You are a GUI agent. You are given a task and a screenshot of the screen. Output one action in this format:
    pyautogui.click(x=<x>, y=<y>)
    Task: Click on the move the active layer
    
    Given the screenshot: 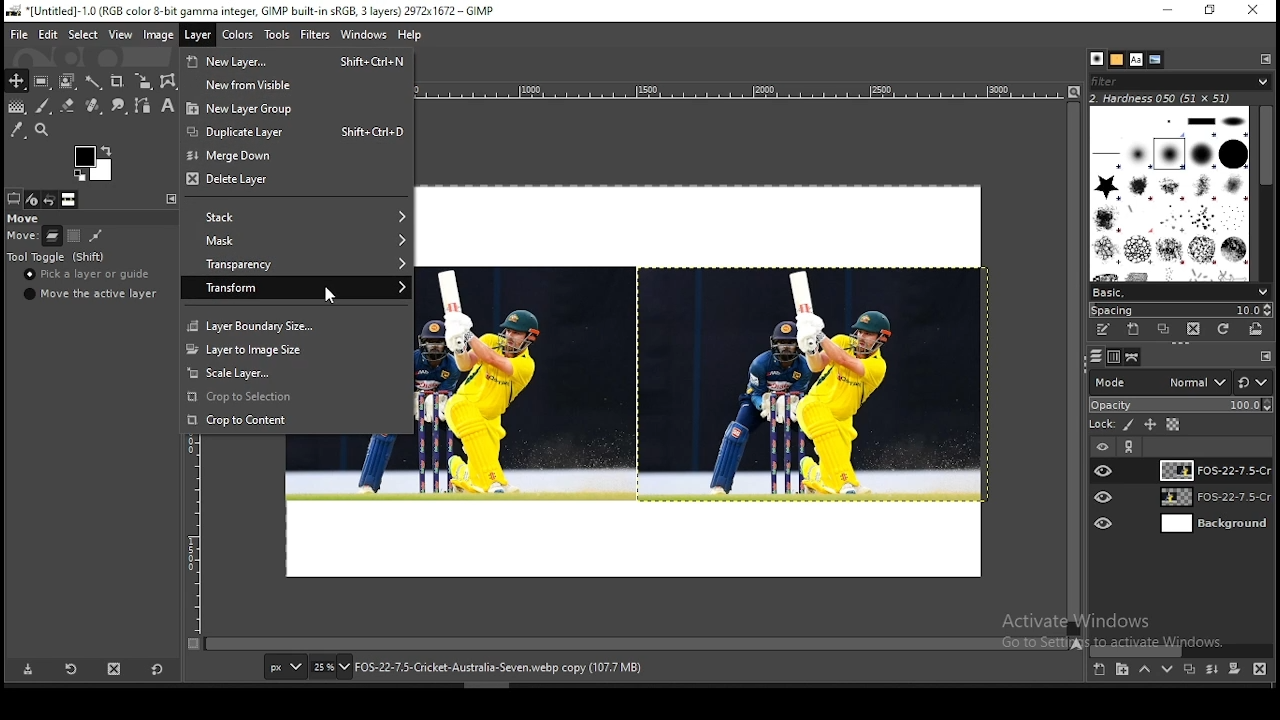 What is the action you would take?
    pyautogui.click(x=88, y=294)
    